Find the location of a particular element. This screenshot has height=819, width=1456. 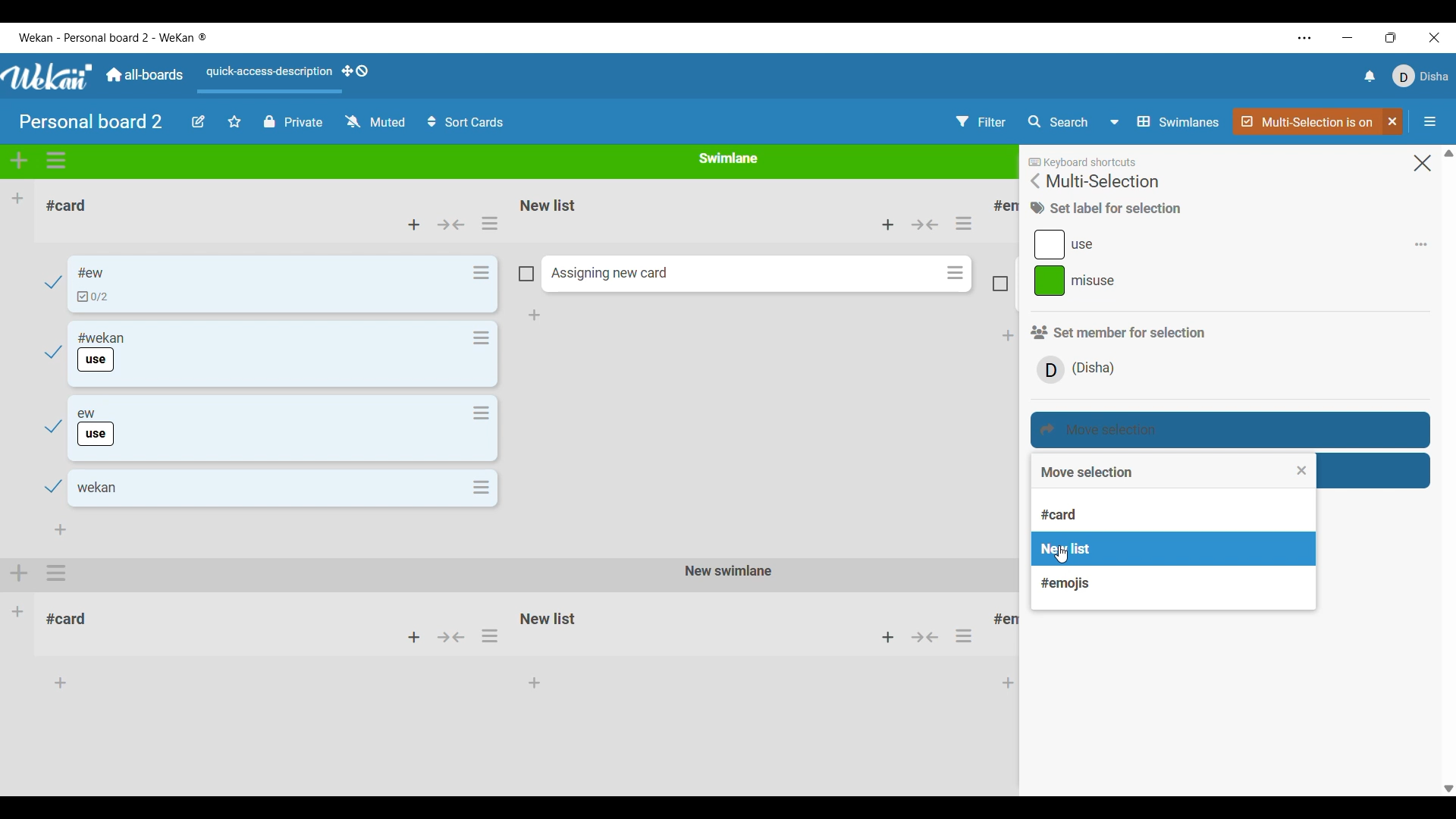

Indicates checklist in card is located at coordinates (93, 296).